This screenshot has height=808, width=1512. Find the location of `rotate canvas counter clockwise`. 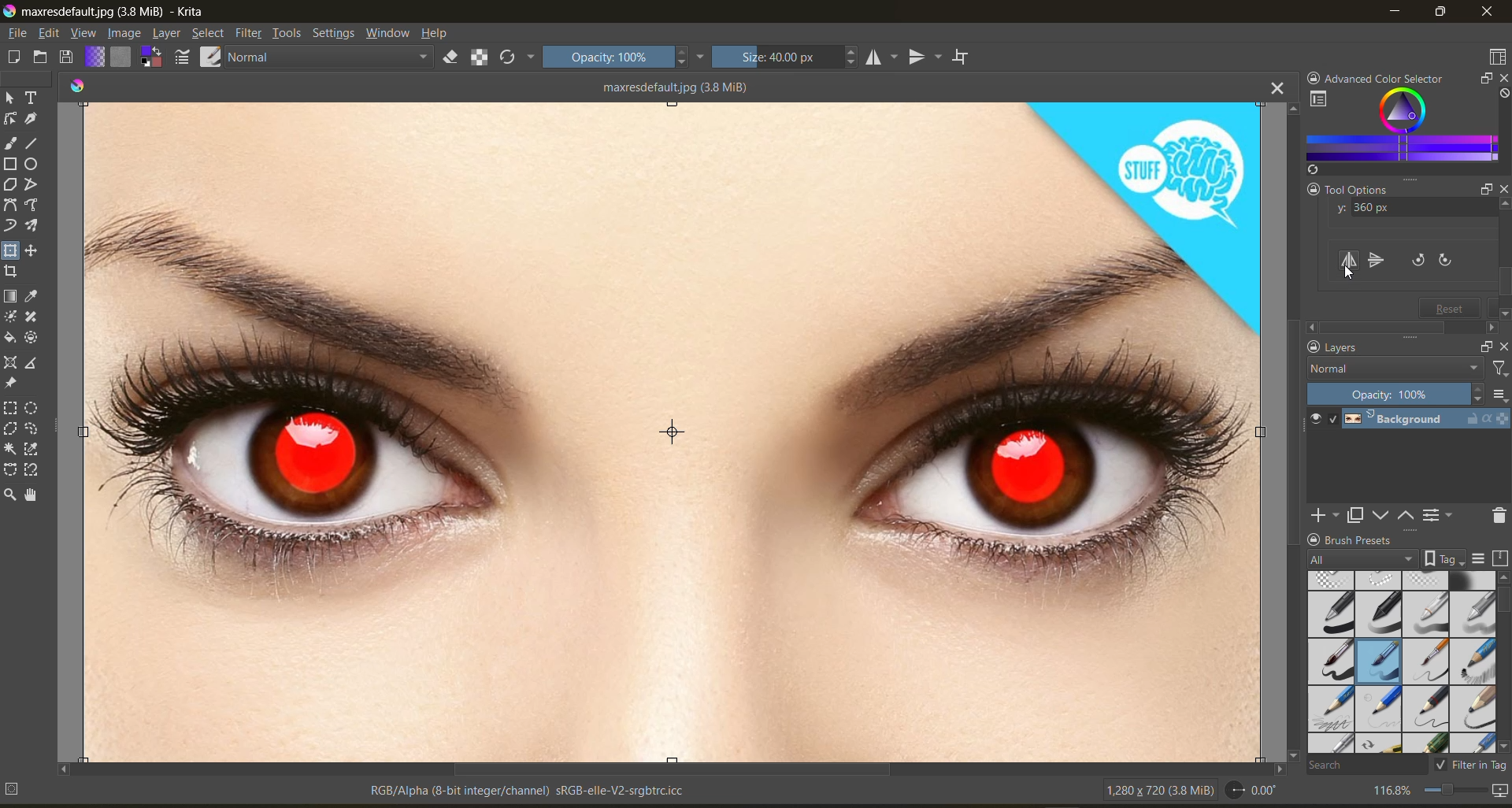

rotate canvas counter clockwise is located at coordinates (1416, 261).